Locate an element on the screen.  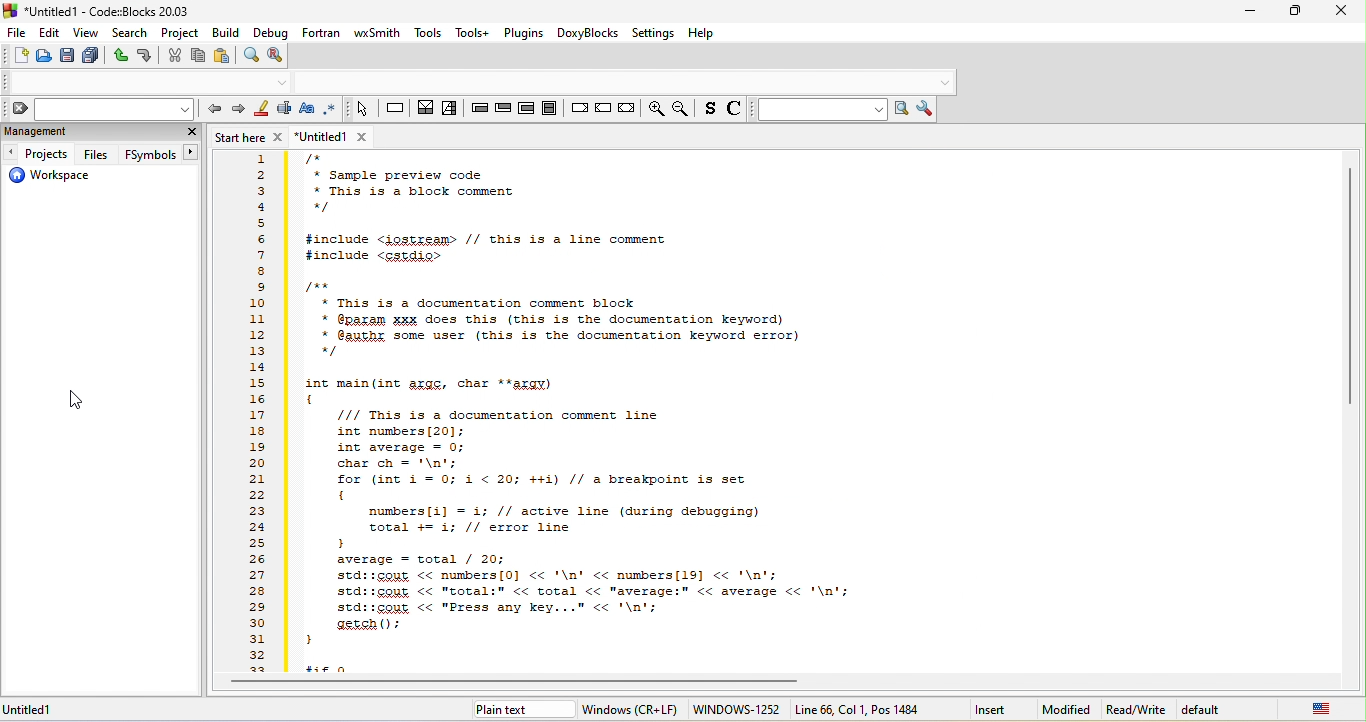
exit is located at coordinates (503, 111).